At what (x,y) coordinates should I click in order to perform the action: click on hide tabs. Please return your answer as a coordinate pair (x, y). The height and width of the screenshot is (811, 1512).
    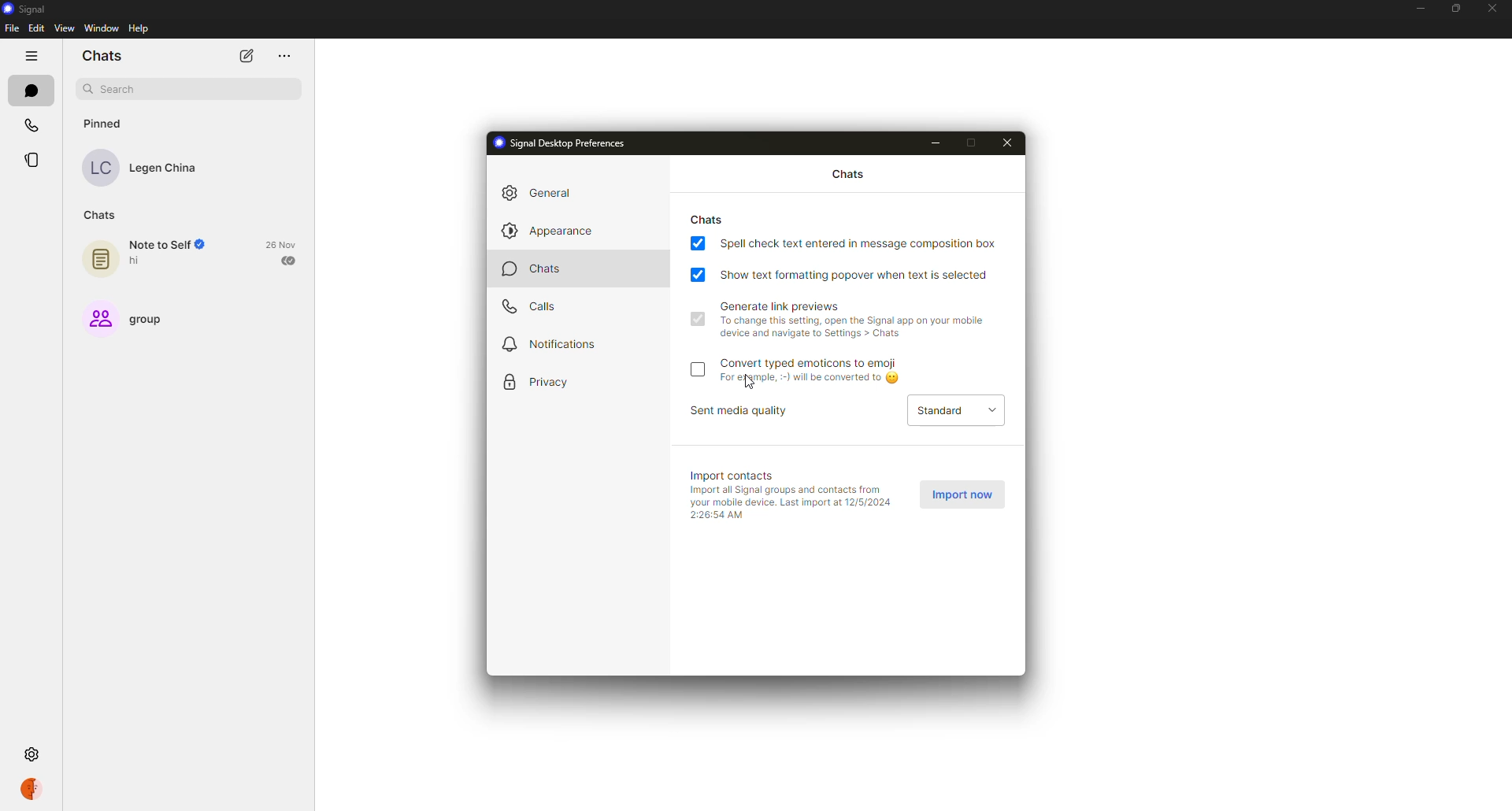
    Looking at the image, I should click on (31, 57).